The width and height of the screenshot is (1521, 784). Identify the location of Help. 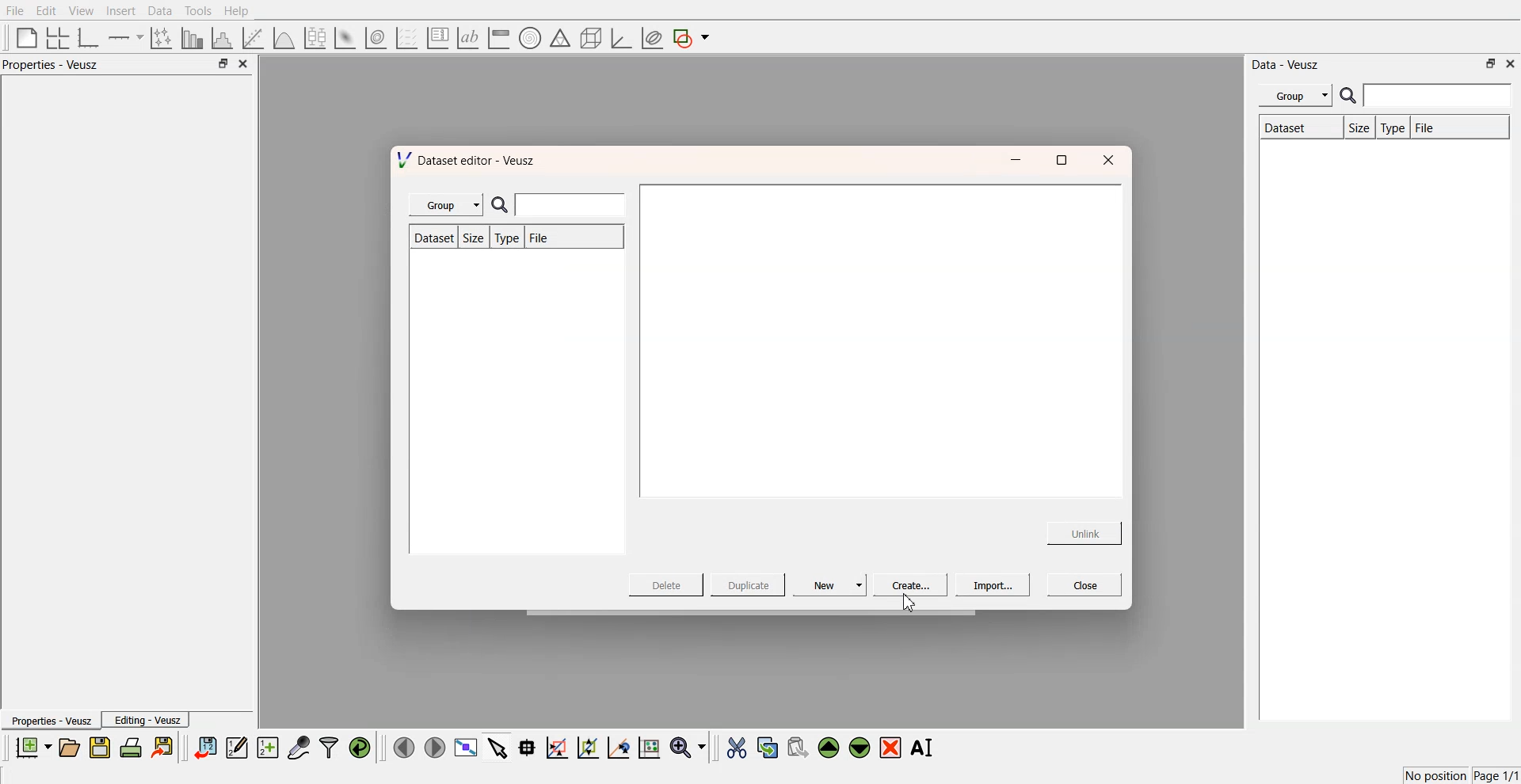
(242, 13).